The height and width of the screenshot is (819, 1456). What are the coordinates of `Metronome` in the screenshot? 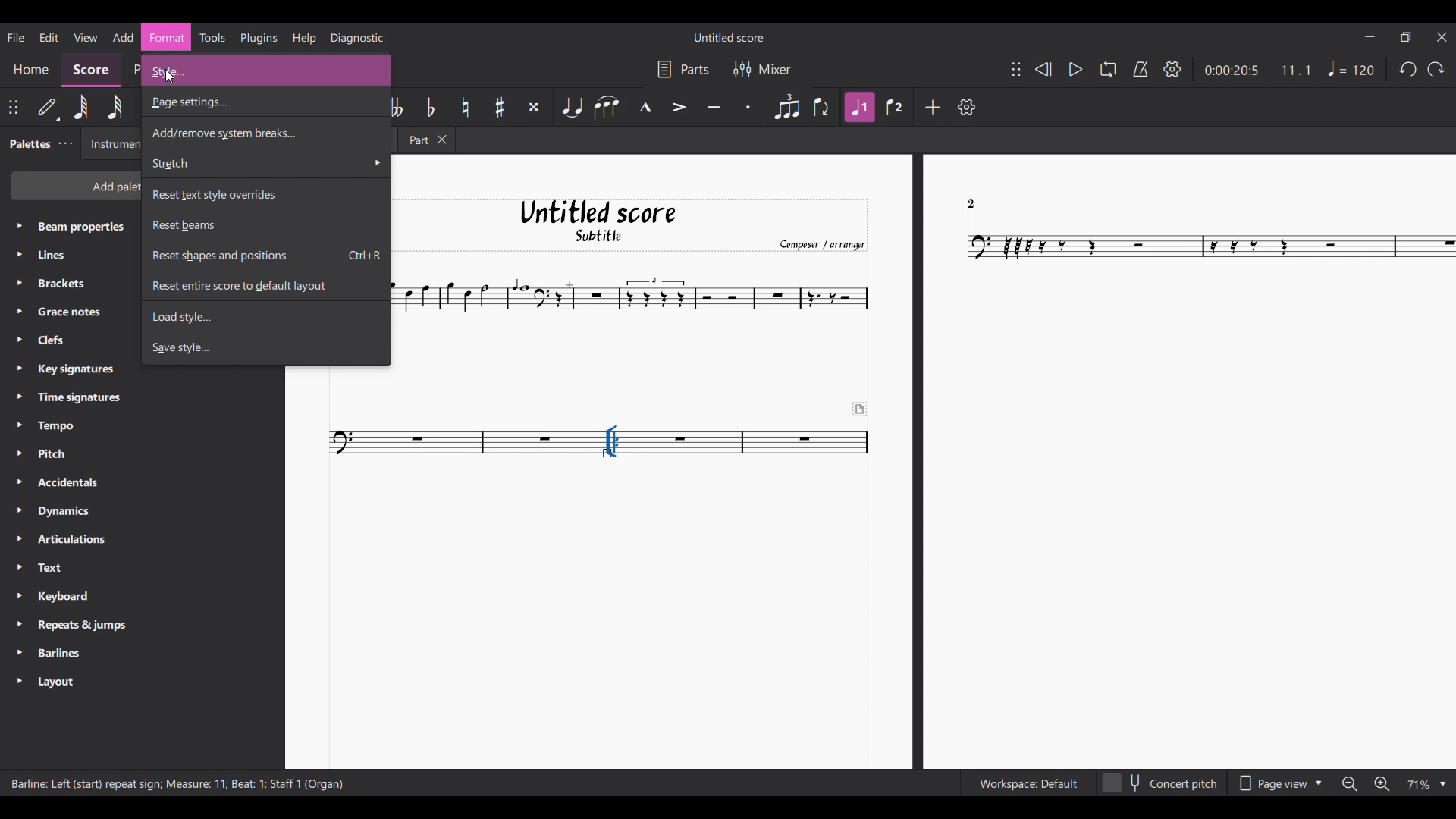 It's located at (1141, 69).